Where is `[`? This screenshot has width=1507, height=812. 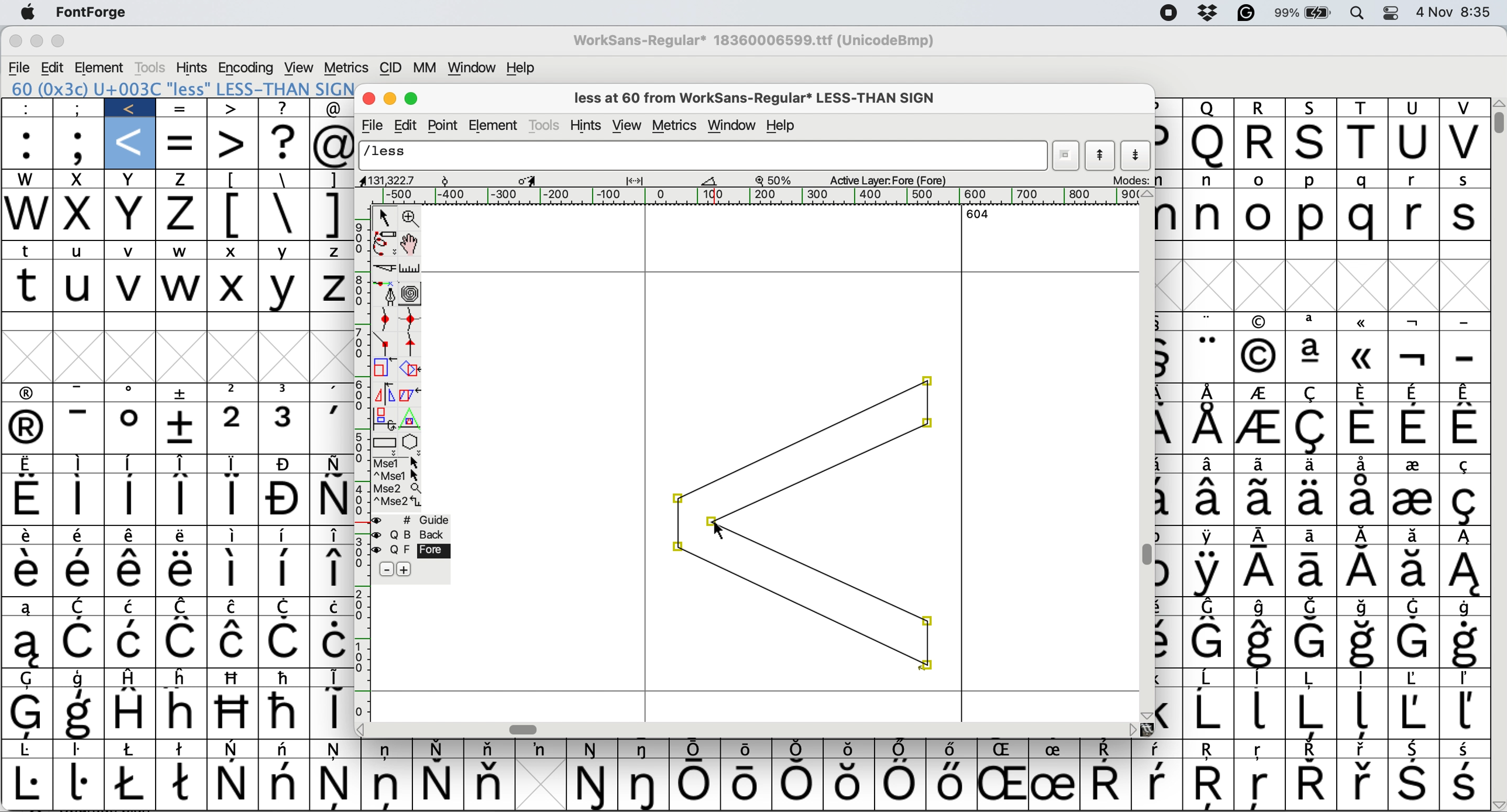
[ is located at coordinates (235, 180).